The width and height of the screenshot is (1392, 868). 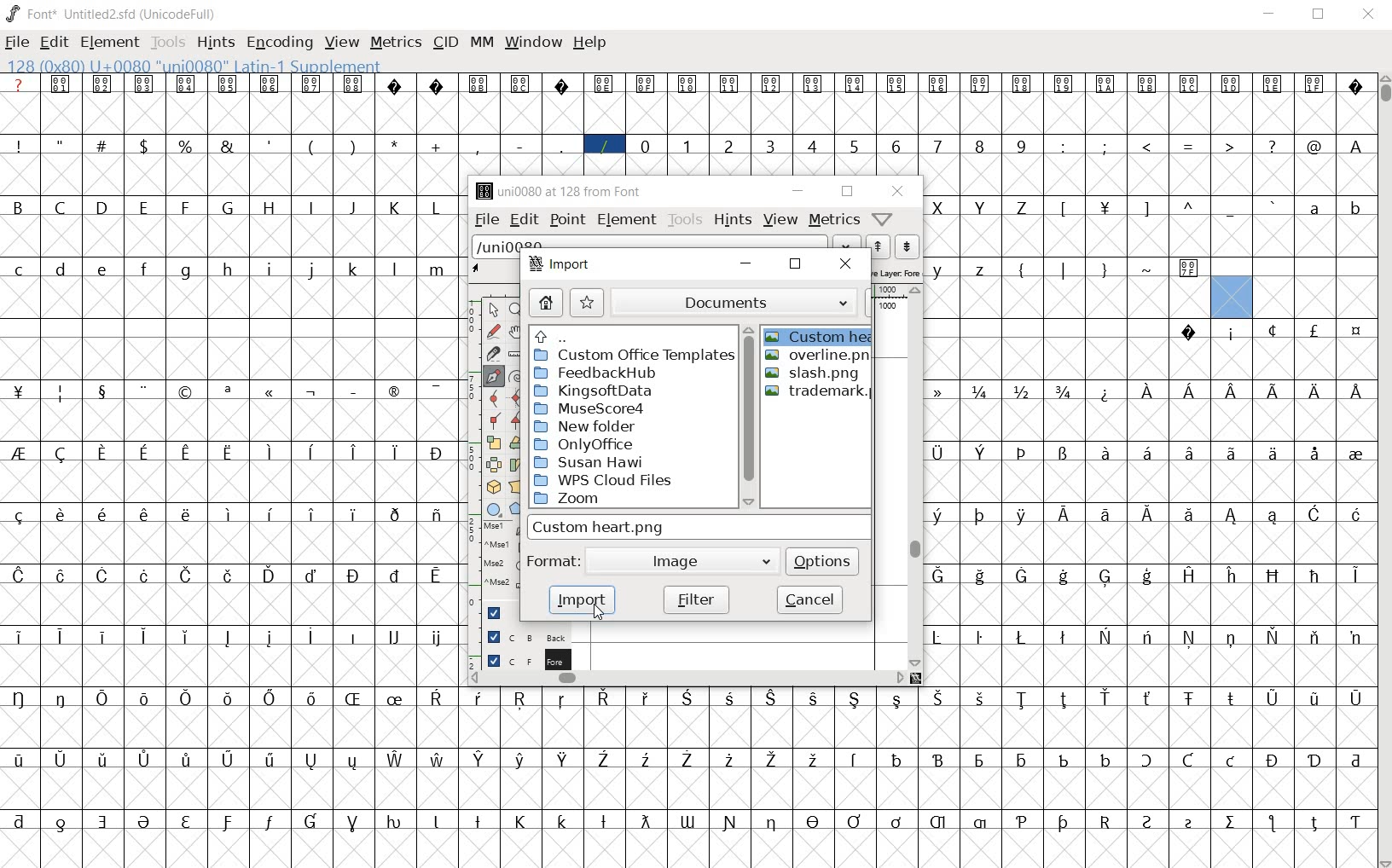 I want to click on glyph, so click(x=20, y=821).